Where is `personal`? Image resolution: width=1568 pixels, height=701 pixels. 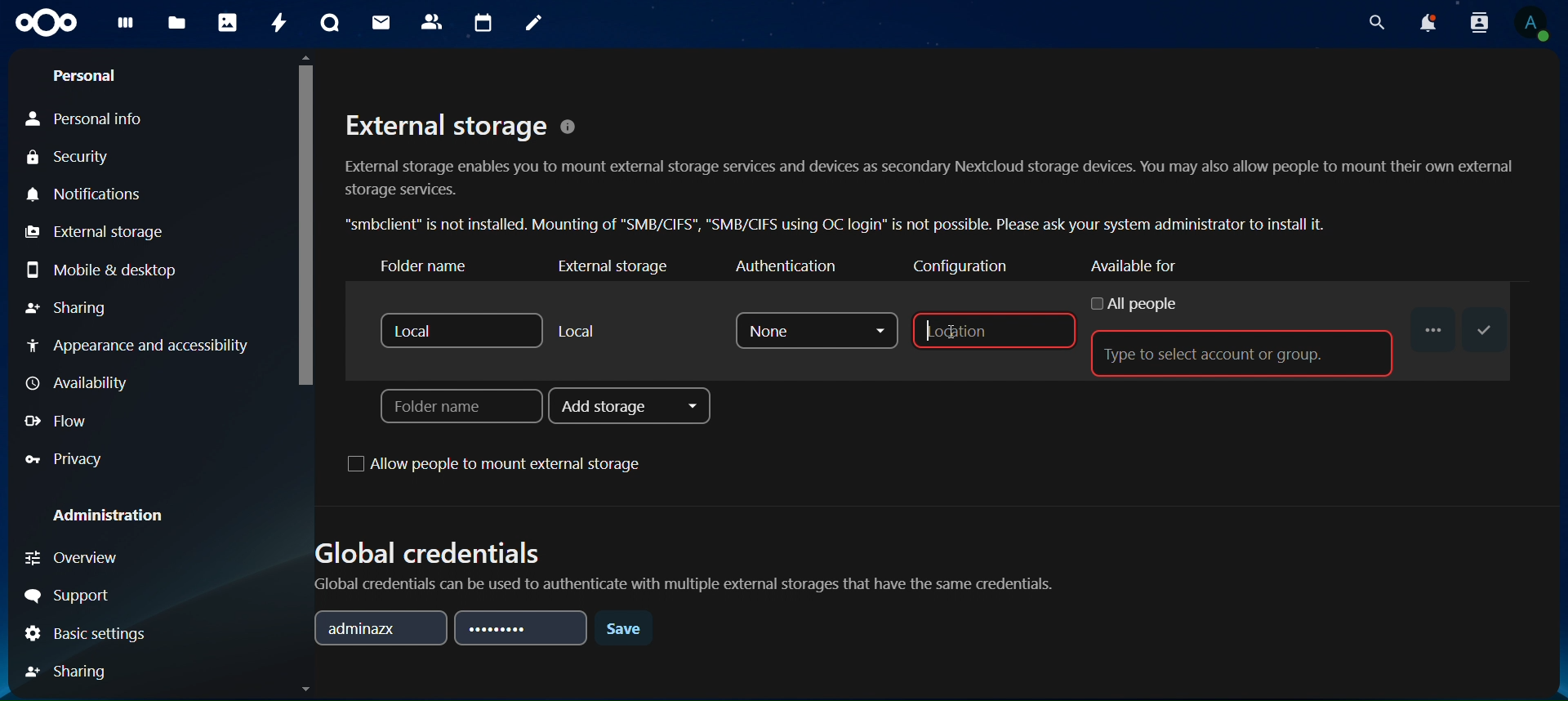
personal is located at coordinates (87, 73).